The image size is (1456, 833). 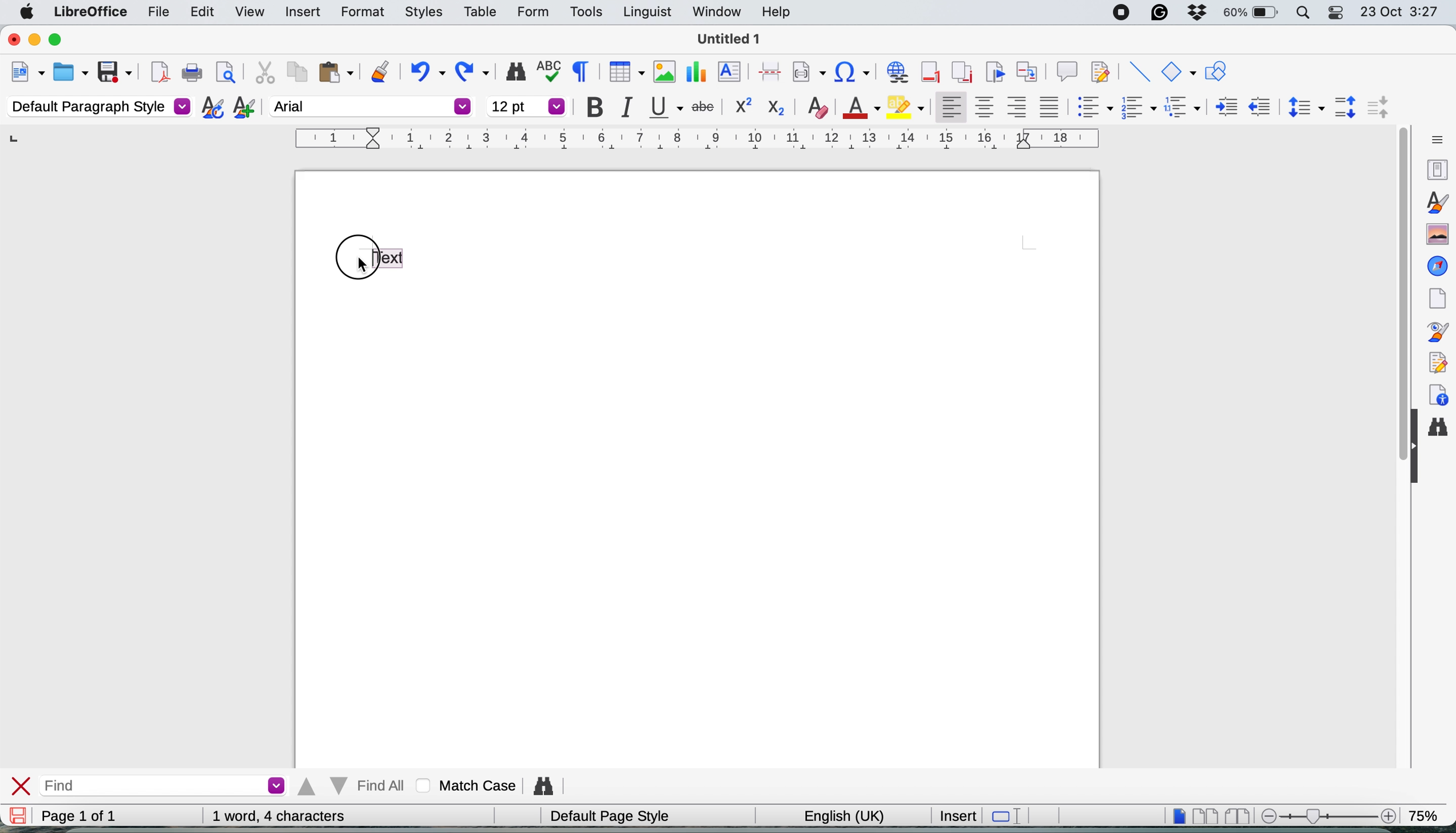 What do you see at coordinates (372, 106) in the screenshot?
I see `arial` at bounding box center [372, 106].